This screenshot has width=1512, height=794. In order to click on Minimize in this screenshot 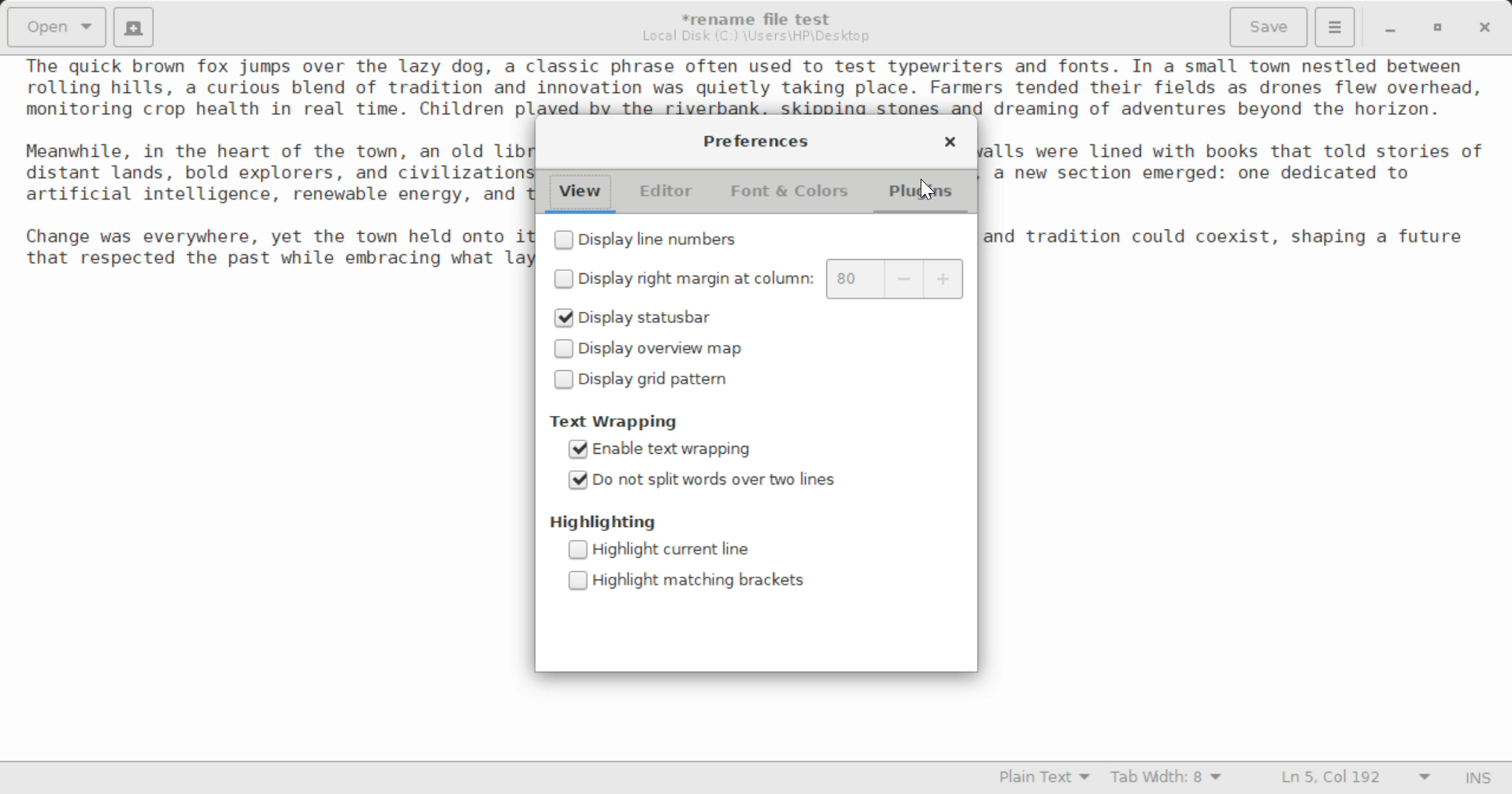, I will do `click(1438, 28)`.